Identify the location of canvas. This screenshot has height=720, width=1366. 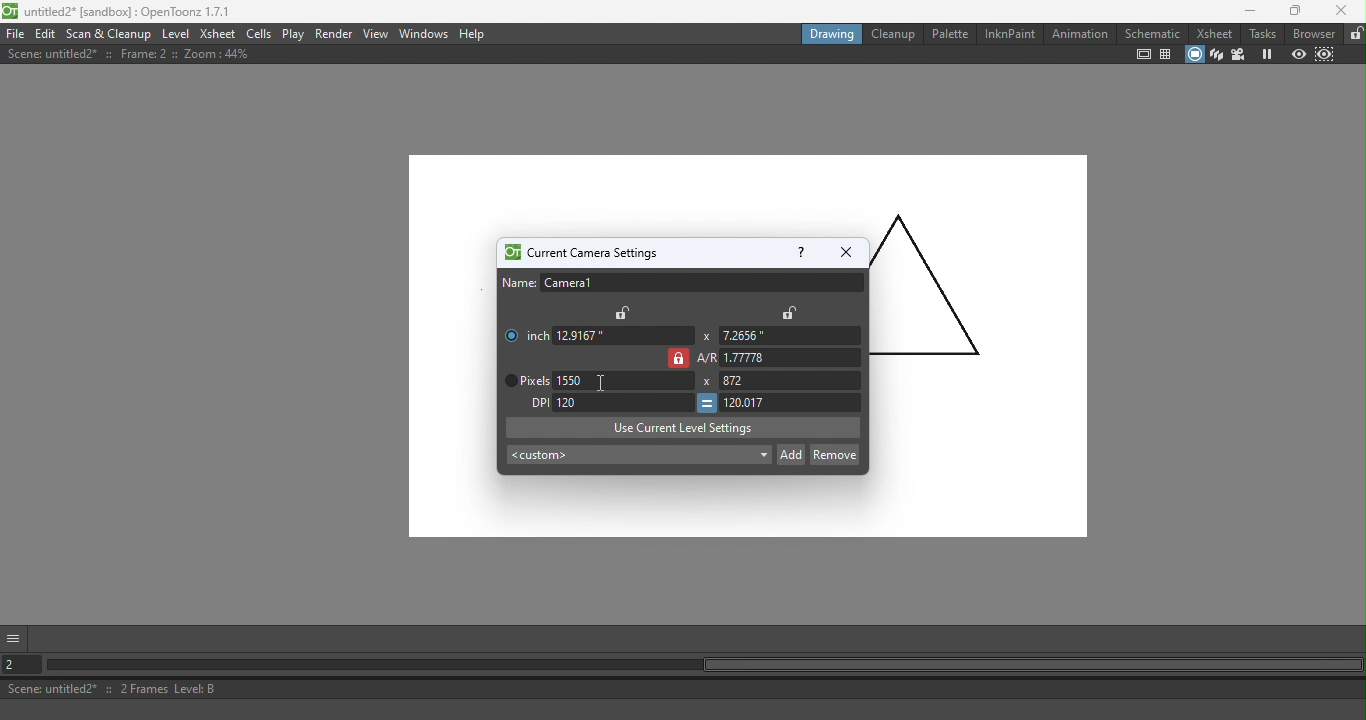
(638, 508).